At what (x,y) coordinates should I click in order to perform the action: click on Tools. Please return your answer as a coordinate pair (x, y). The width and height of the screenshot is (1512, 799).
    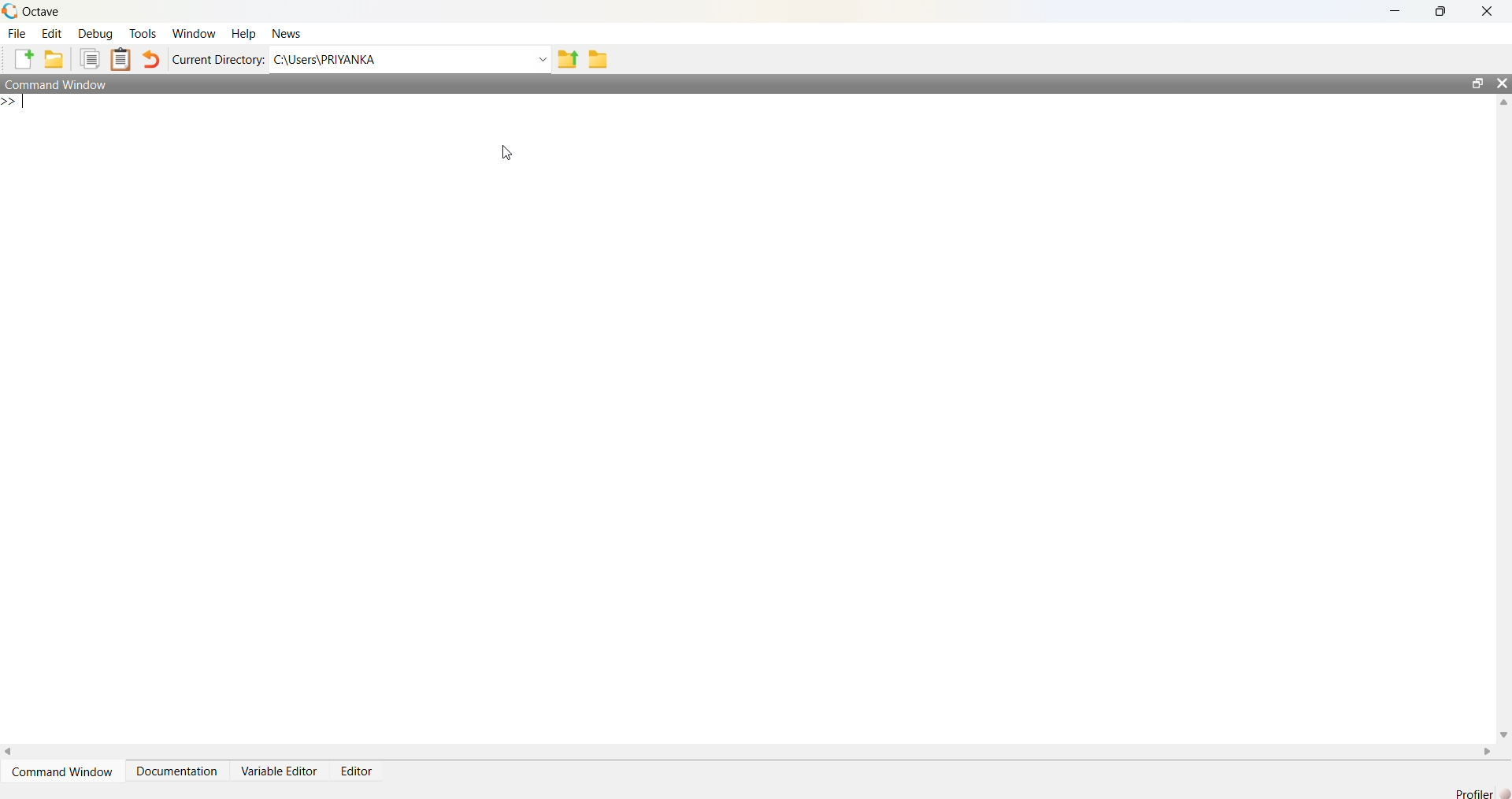
    Looking at the image, I should click on (145, 33).